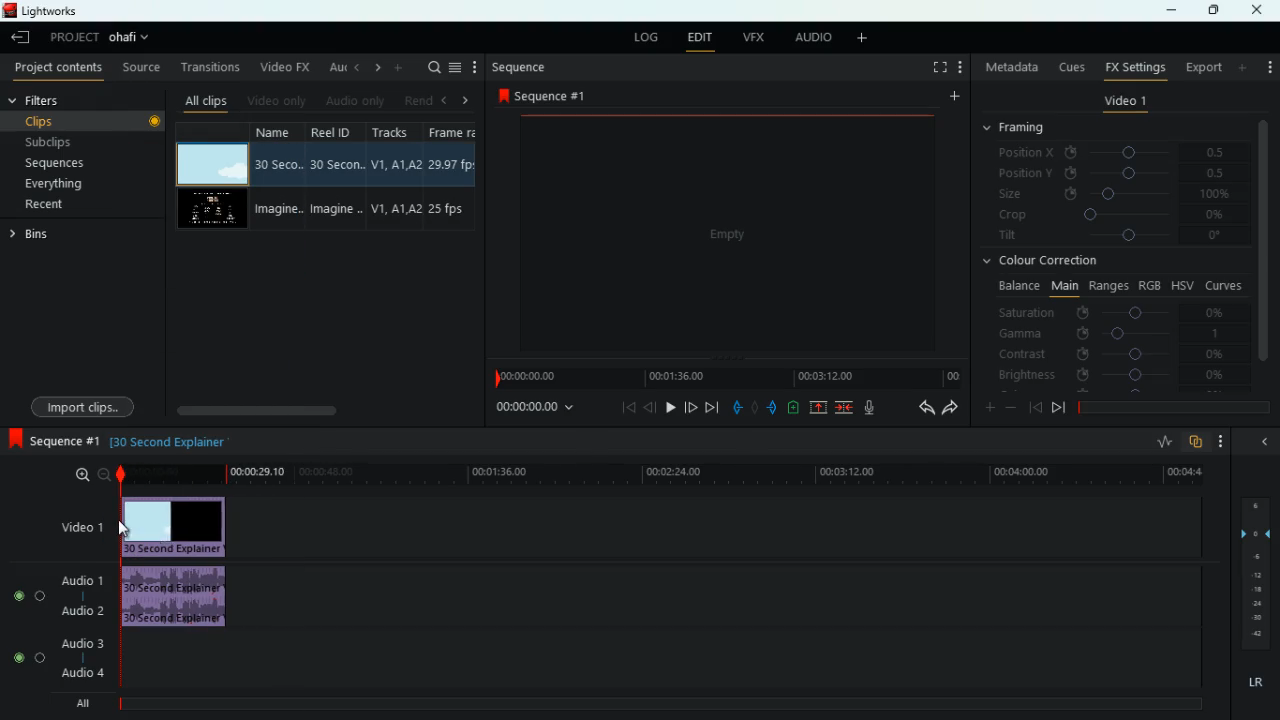 The width and height of the screenshot is (1280, 720). Describe the element at coordinates (141, 67) in the screenshot. I see `source` at that location.